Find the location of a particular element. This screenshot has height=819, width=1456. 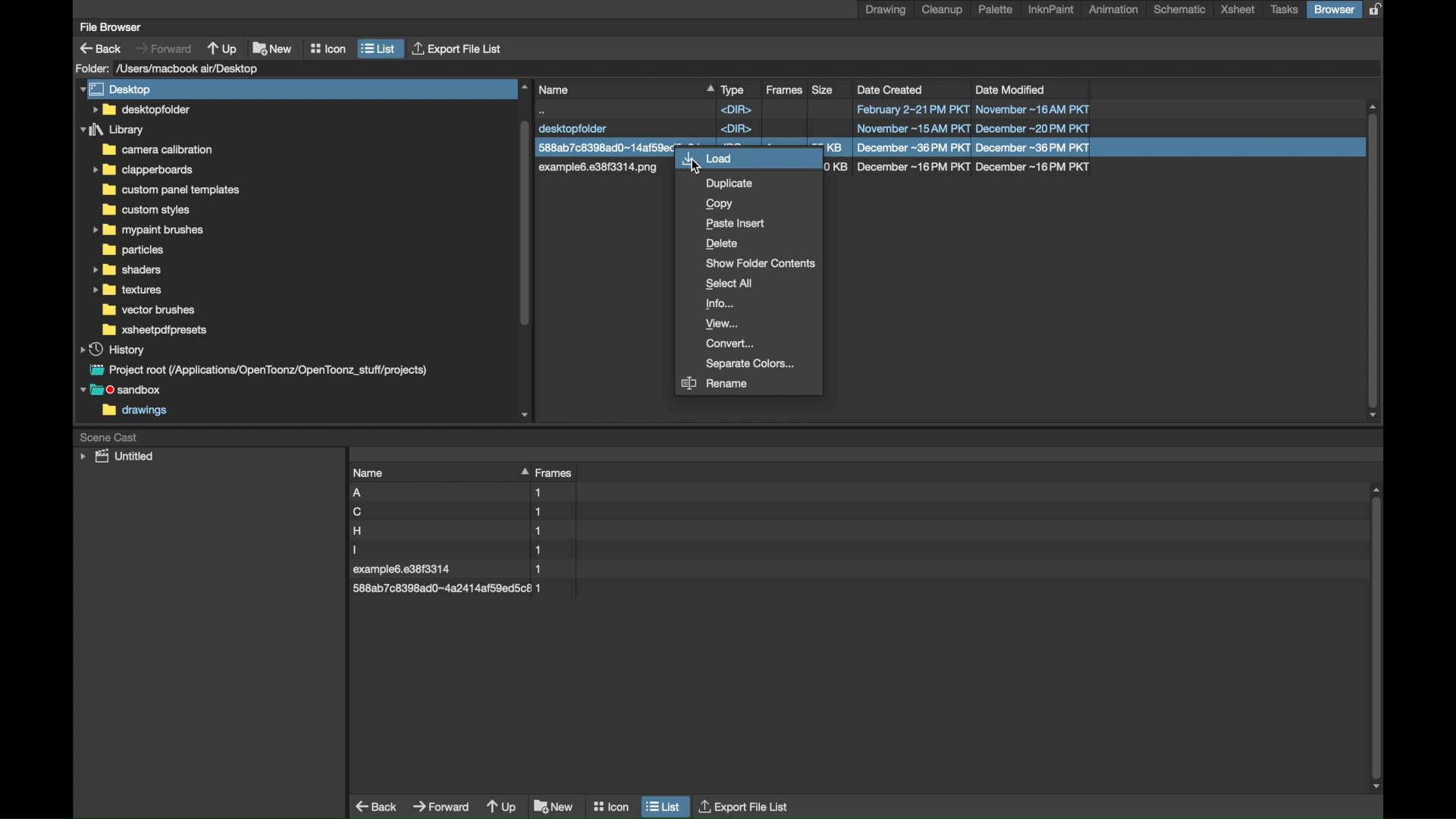

convert is located at coordinates (732, 344).